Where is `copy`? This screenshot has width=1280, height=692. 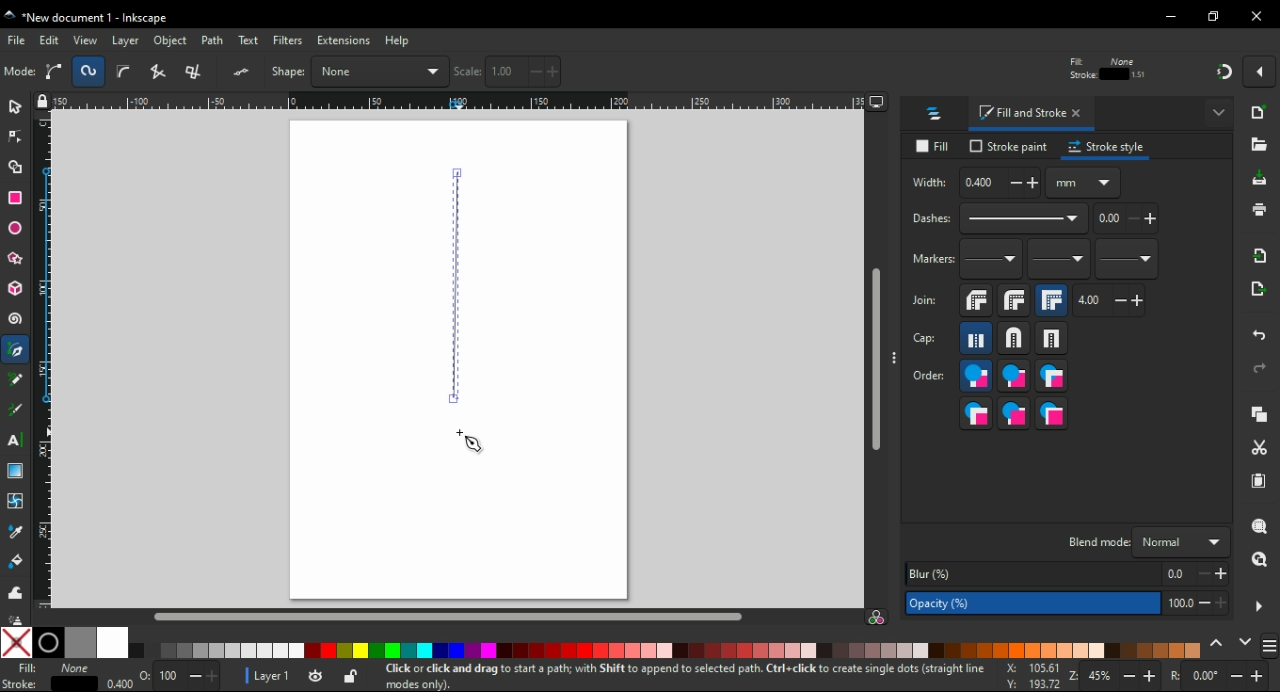 copy is located at coordinates (1259, 415).